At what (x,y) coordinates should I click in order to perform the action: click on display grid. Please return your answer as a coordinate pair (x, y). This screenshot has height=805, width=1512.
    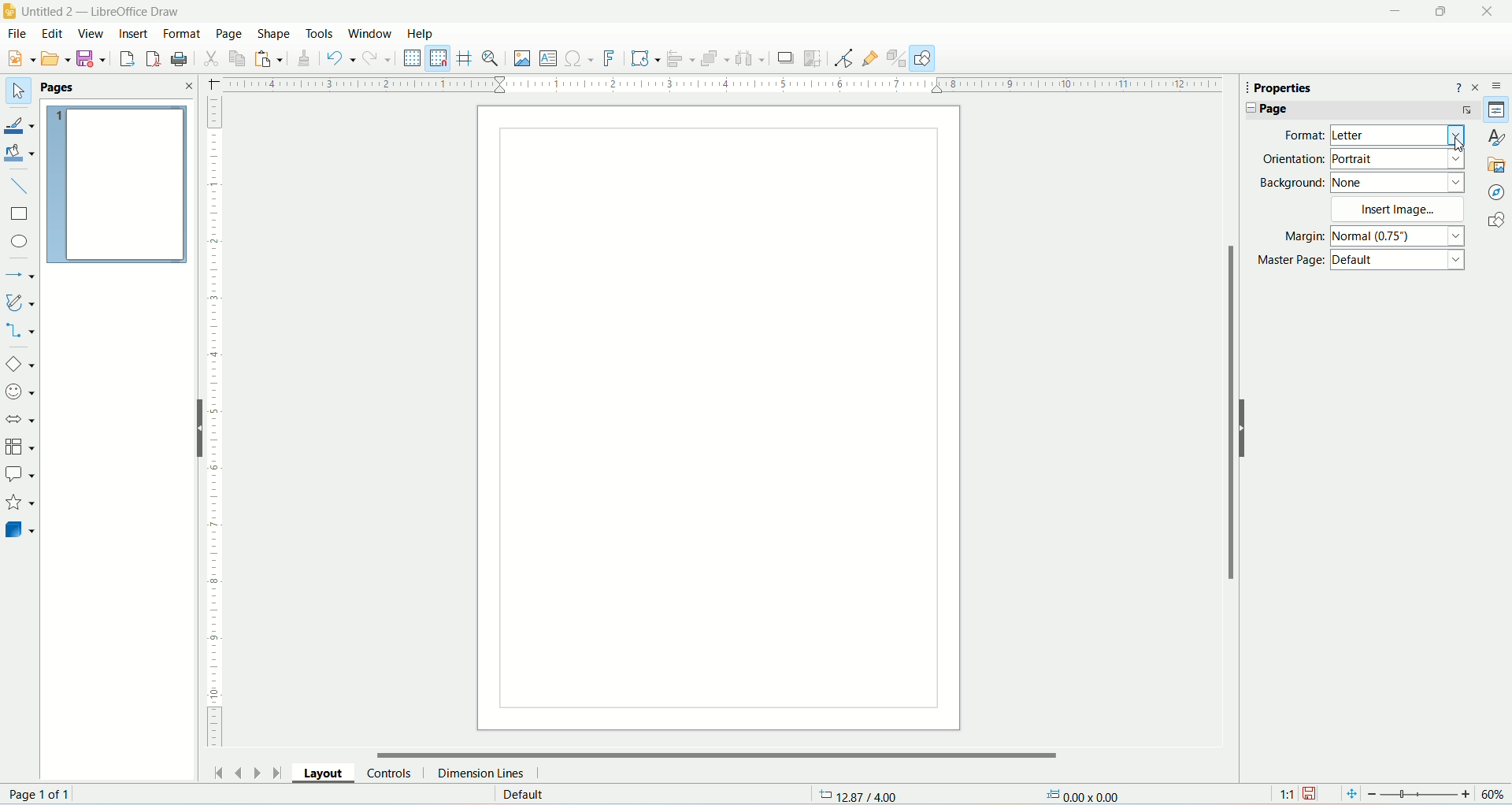
    Looking at the image, I should click on (412, 56).